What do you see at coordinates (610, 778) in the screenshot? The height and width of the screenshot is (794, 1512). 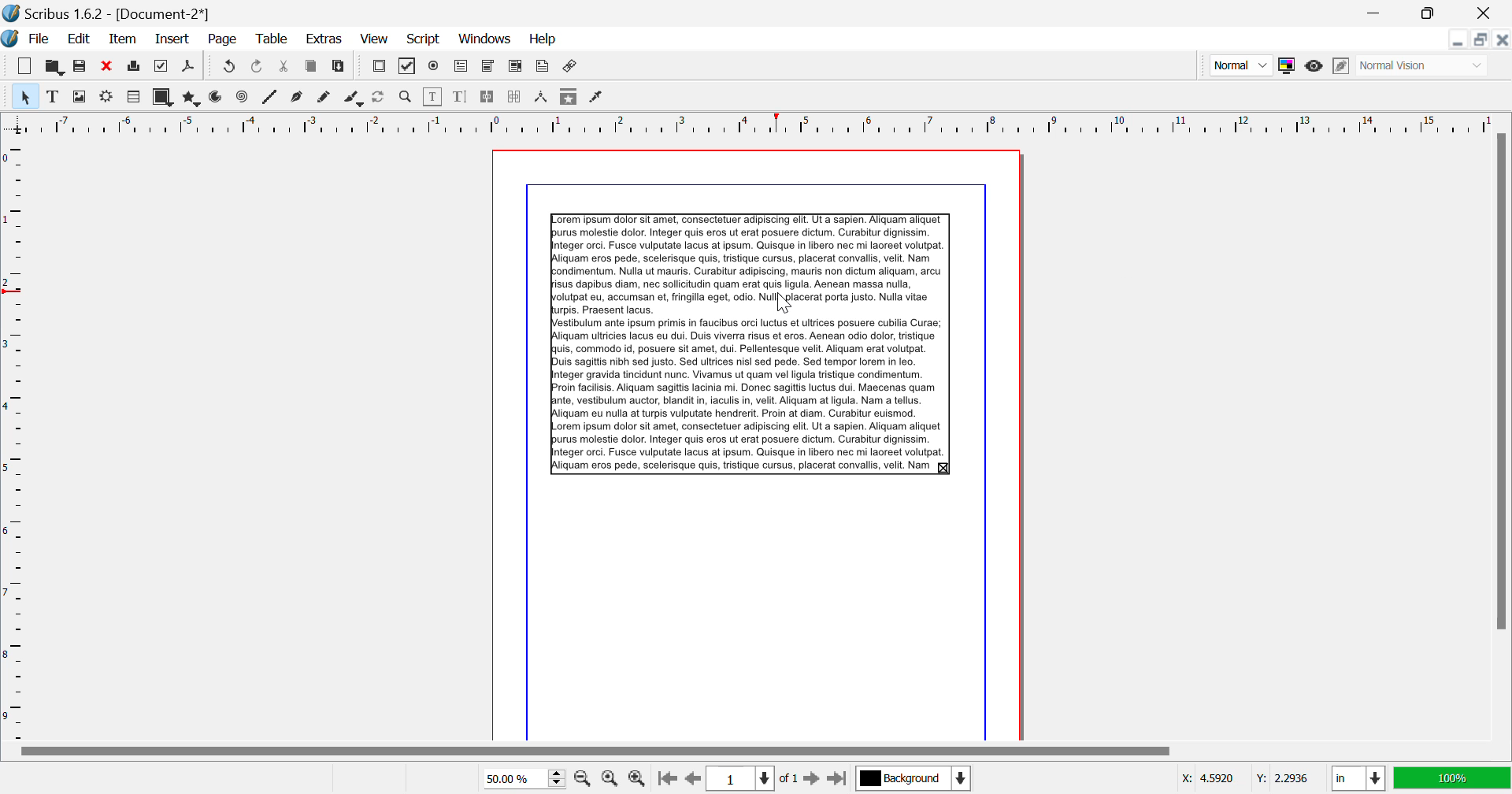 I see `Zoom to 100%` at bounding box center [610, 778].